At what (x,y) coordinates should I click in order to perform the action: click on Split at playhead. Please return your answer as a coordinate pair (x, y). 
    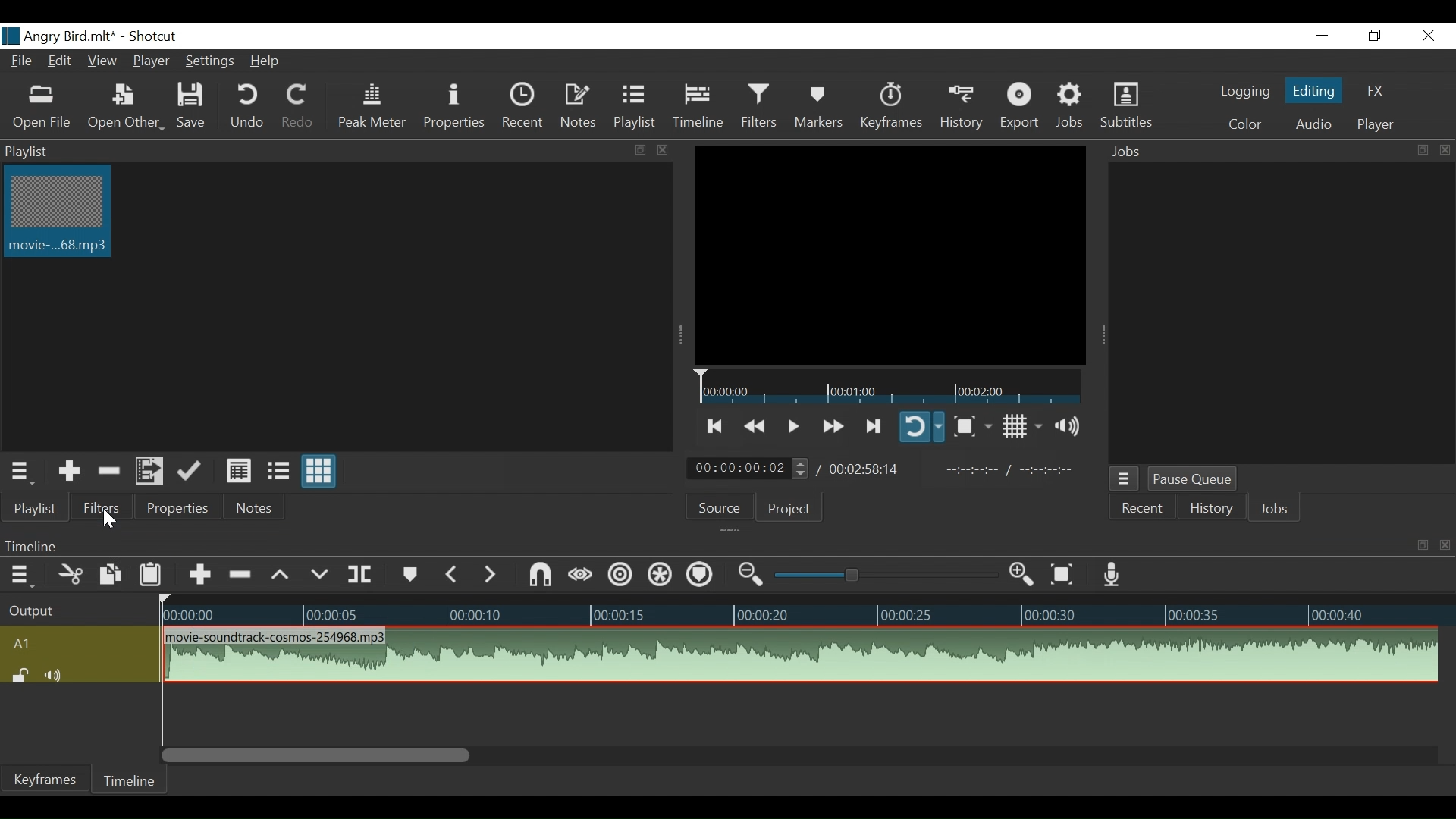
    Looking at the image, I should click on (361, 573).